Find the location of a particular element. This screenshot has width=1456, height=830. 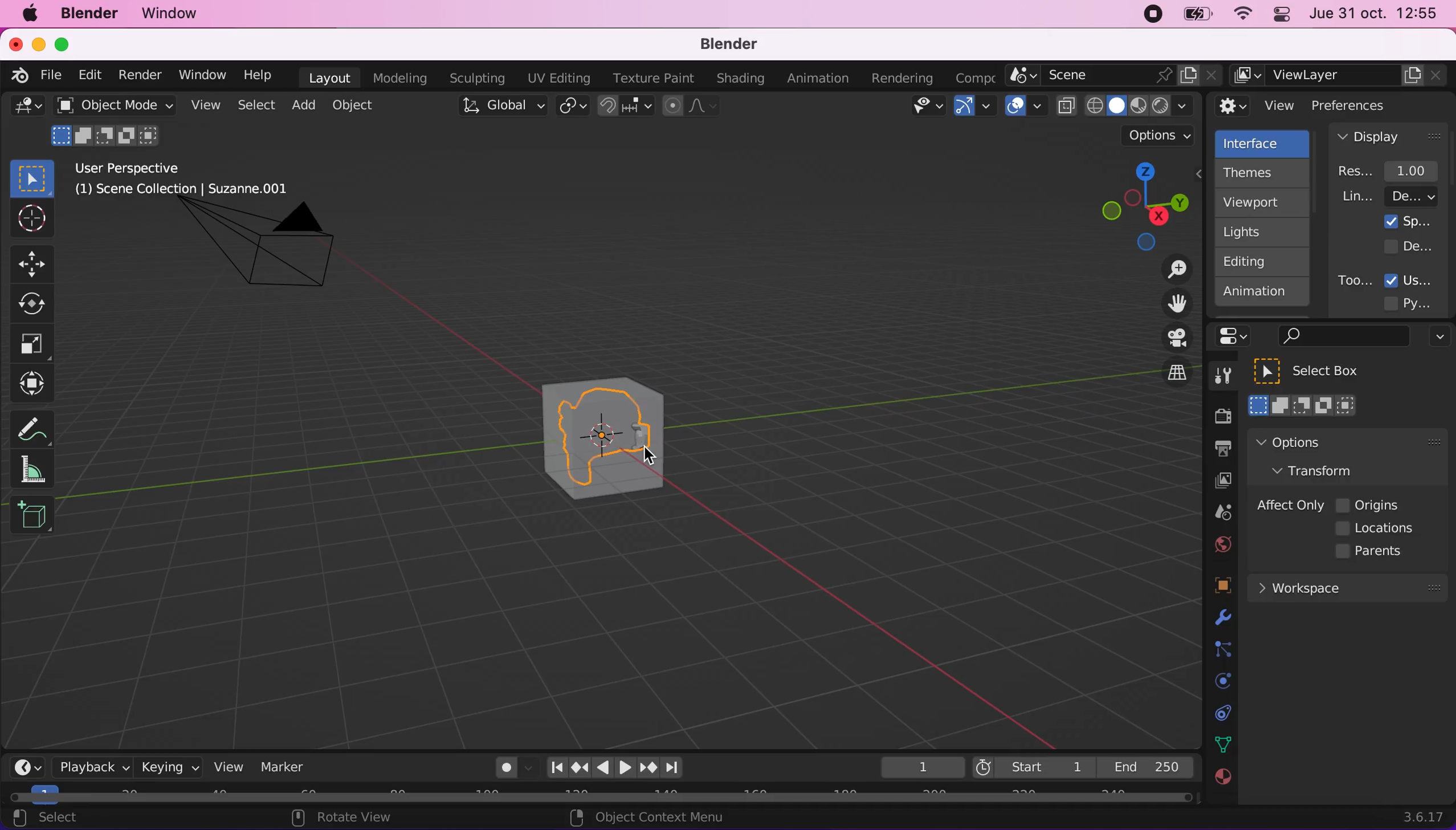

measure is located at coordinates (40, 469).